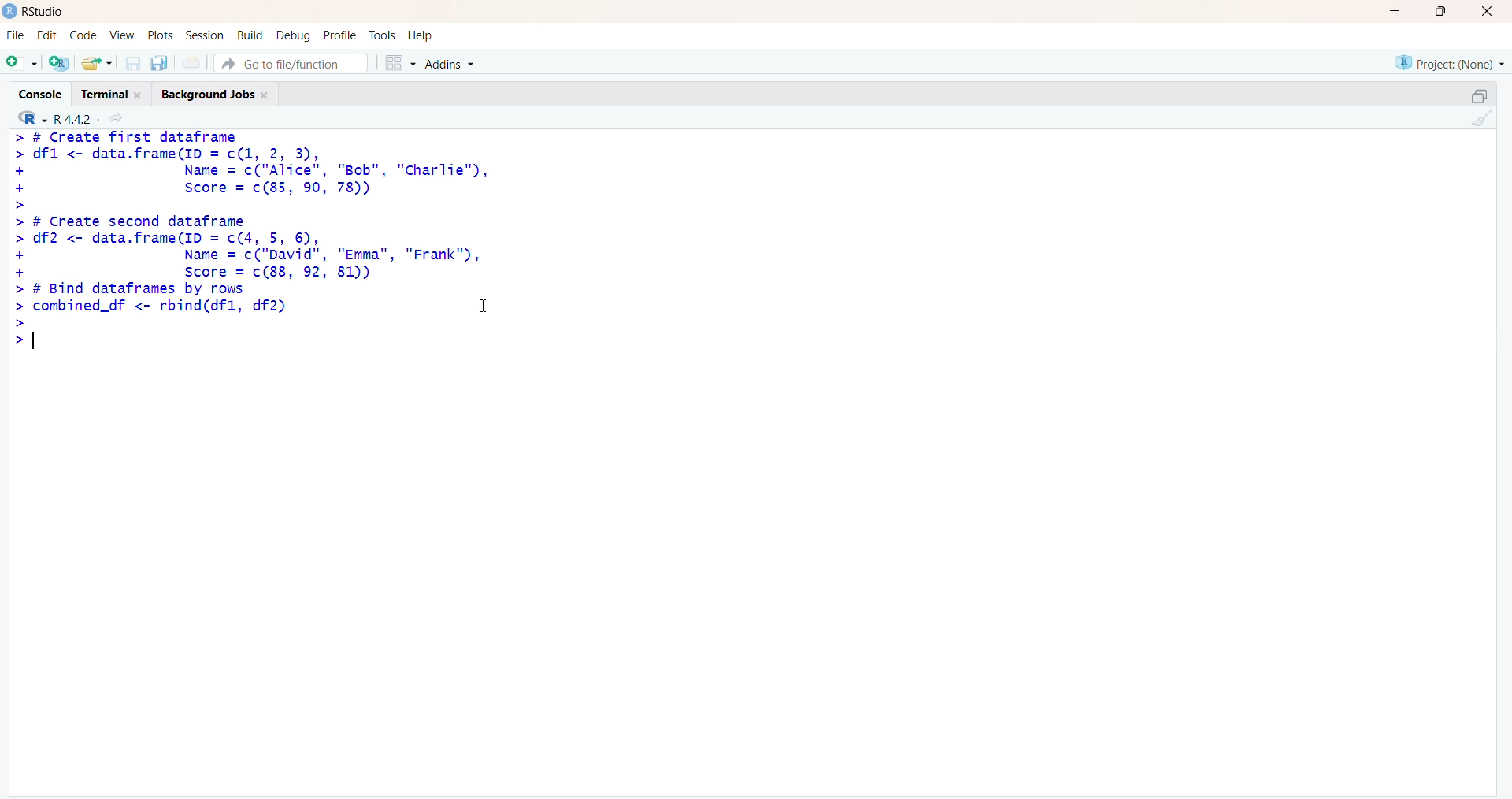  I want to click on Build, so click(250, 35).